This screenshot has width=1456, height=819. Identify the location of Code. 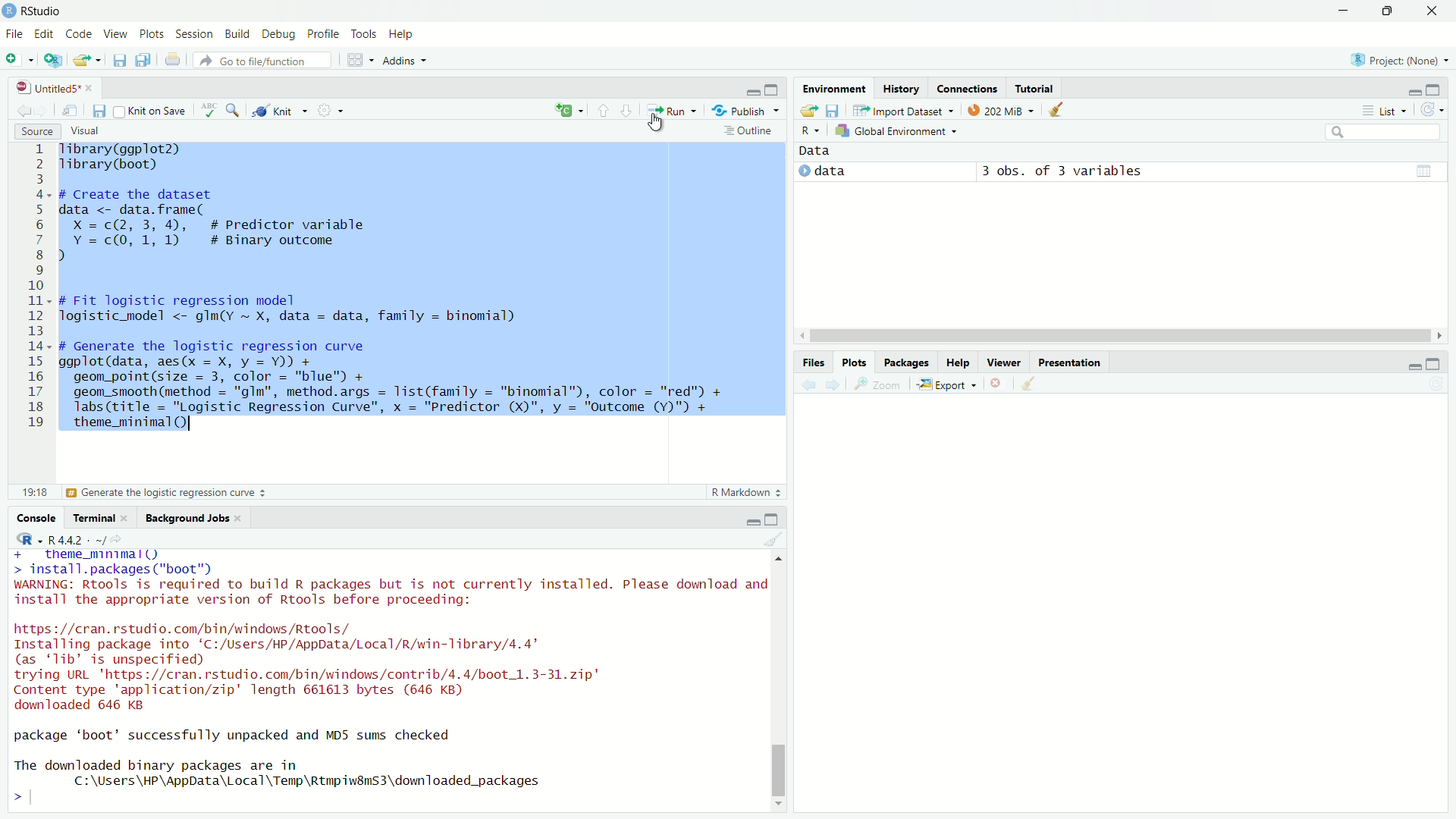
(77, 33).